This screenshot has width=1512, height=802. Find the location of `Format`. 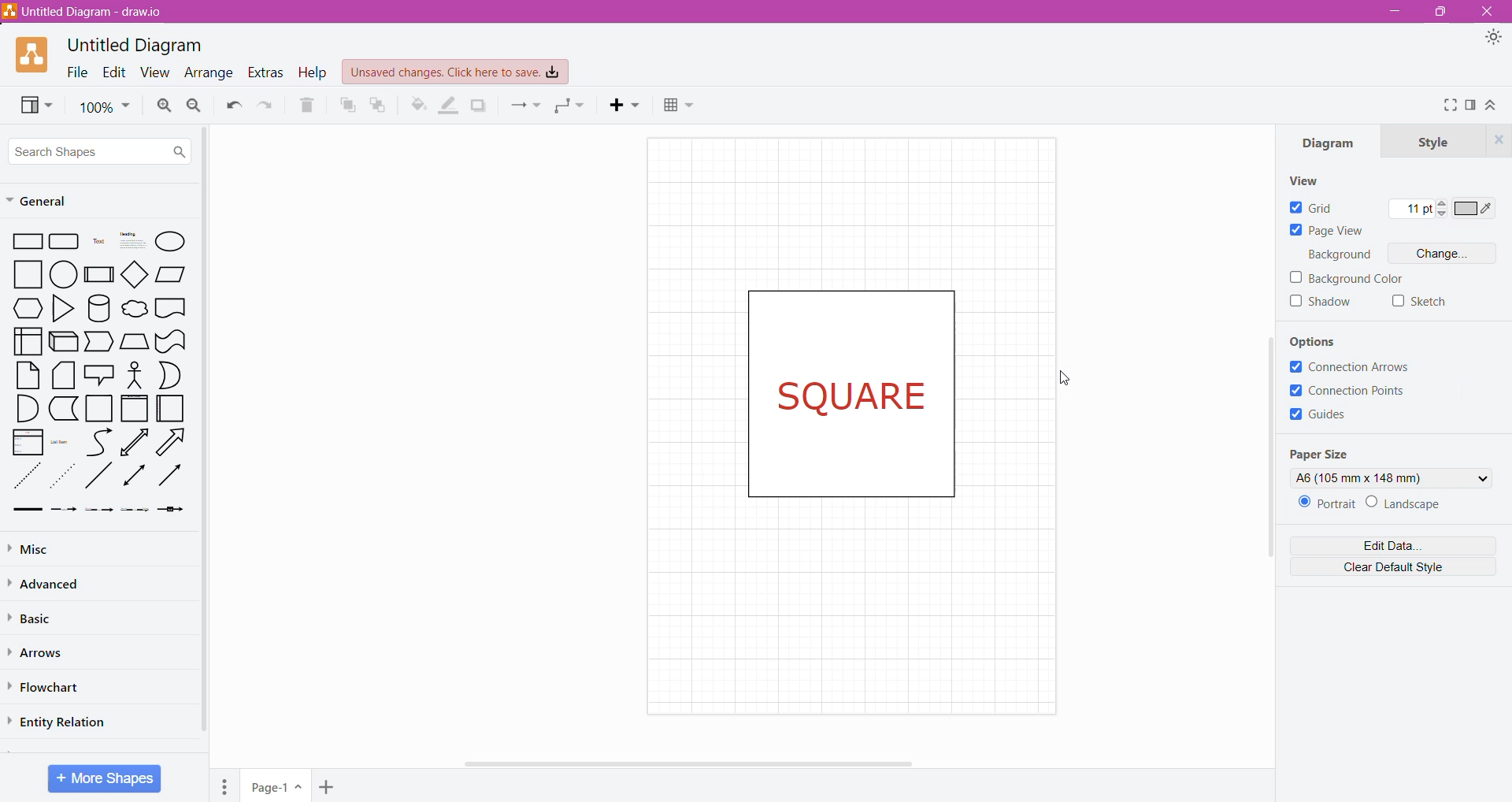

Format is located at coordinates (1471, 105).